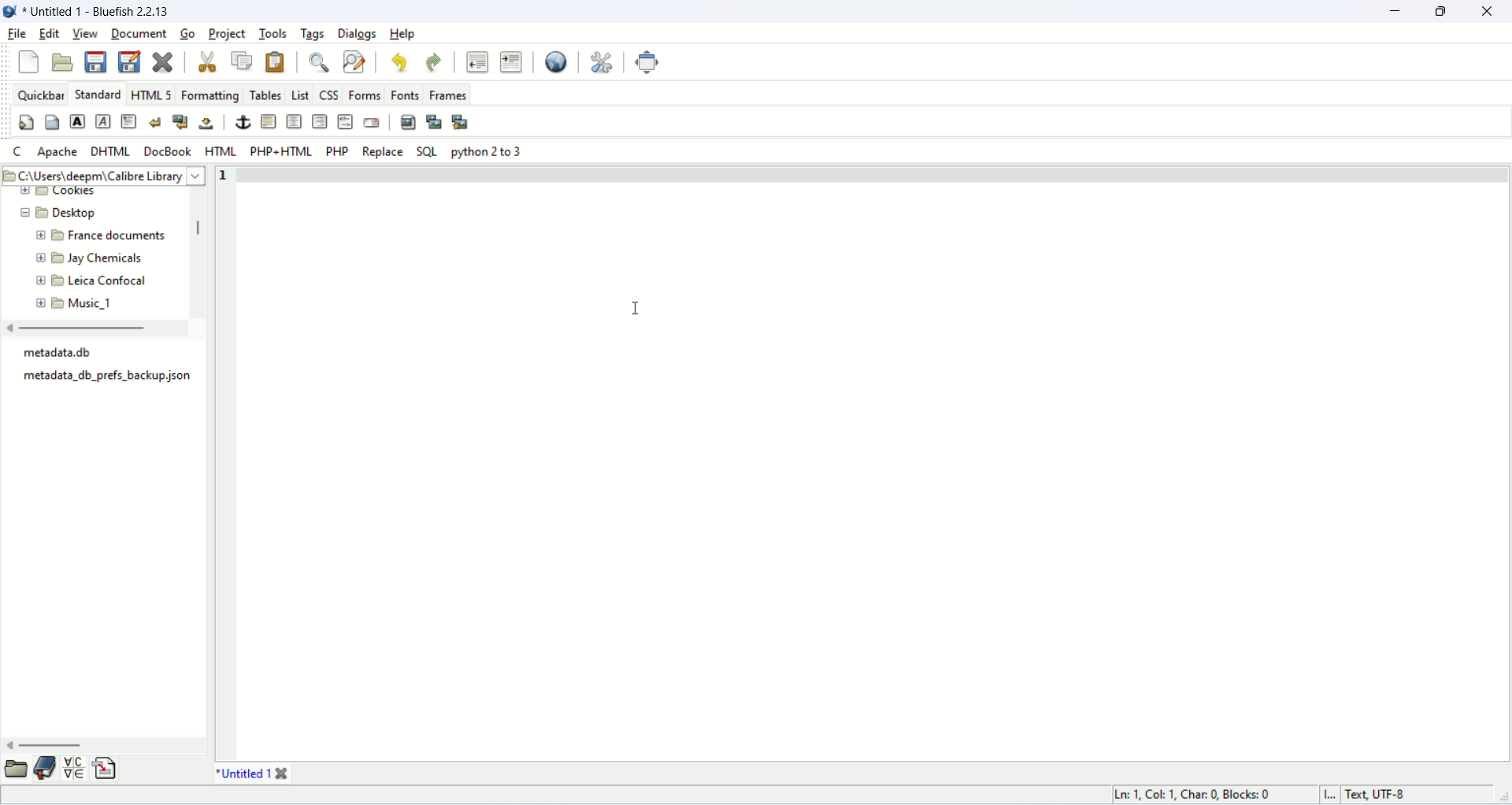 This screenshot has width=1512, height=805. What do you see at coordinates (301, 95) in the screenshot?
I see `` at bounding box center [301, 95].